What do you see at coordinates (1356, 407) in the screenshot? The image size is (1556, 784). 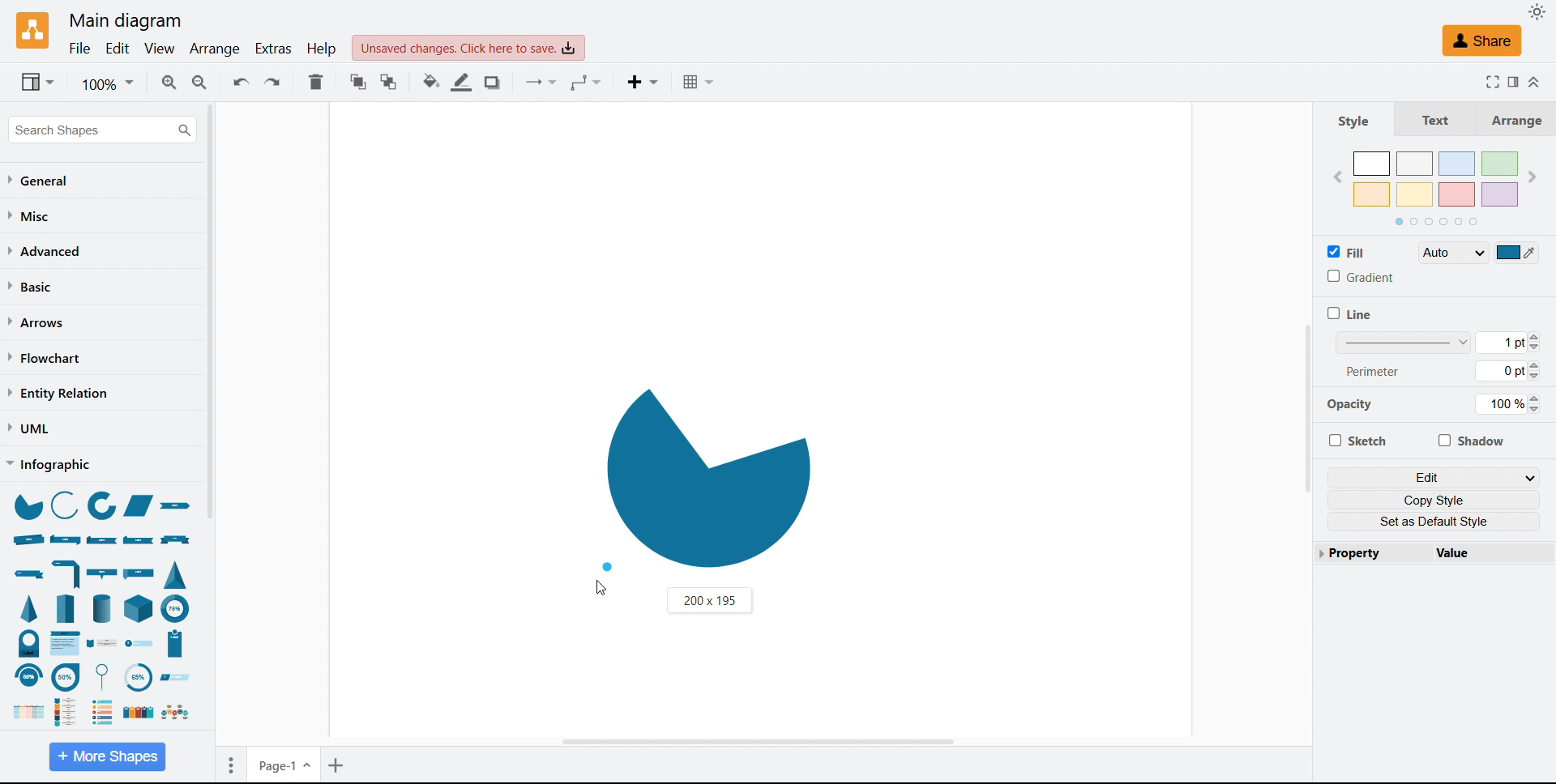 I see `opacity` at bounding box center [1356, 407].